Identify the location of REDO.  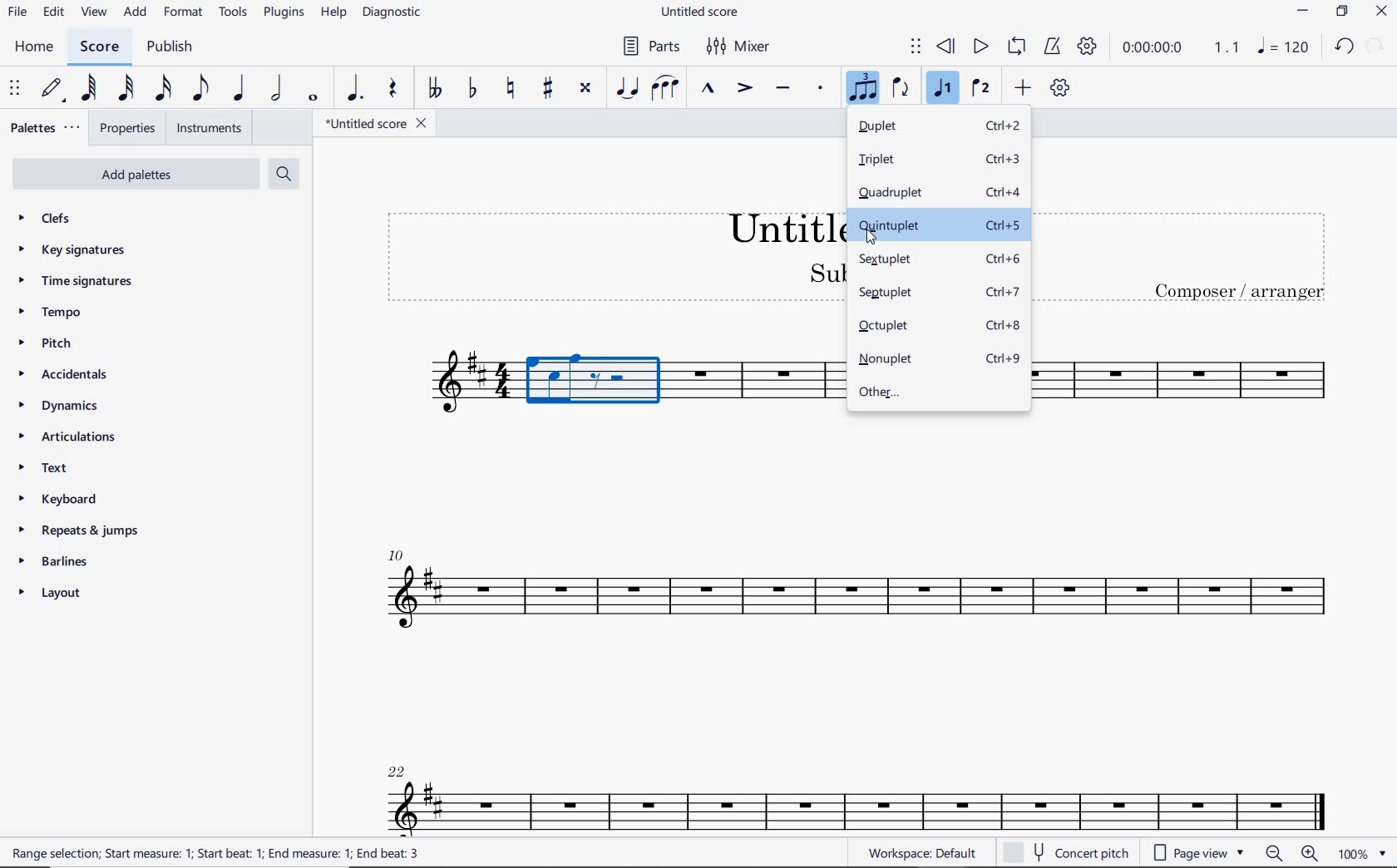
(1375, 46).